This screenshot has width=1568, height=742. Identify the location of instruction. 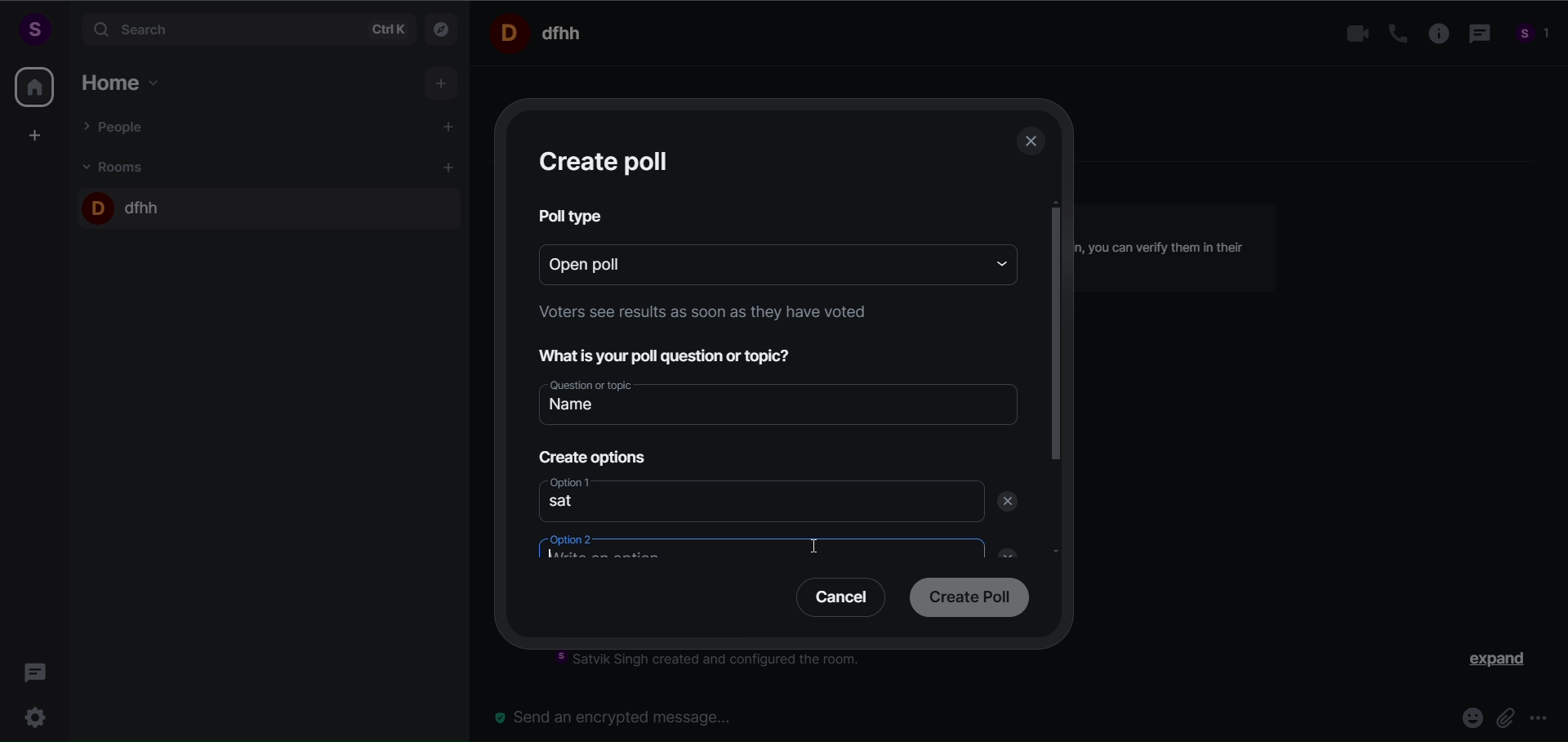
(698, 315).